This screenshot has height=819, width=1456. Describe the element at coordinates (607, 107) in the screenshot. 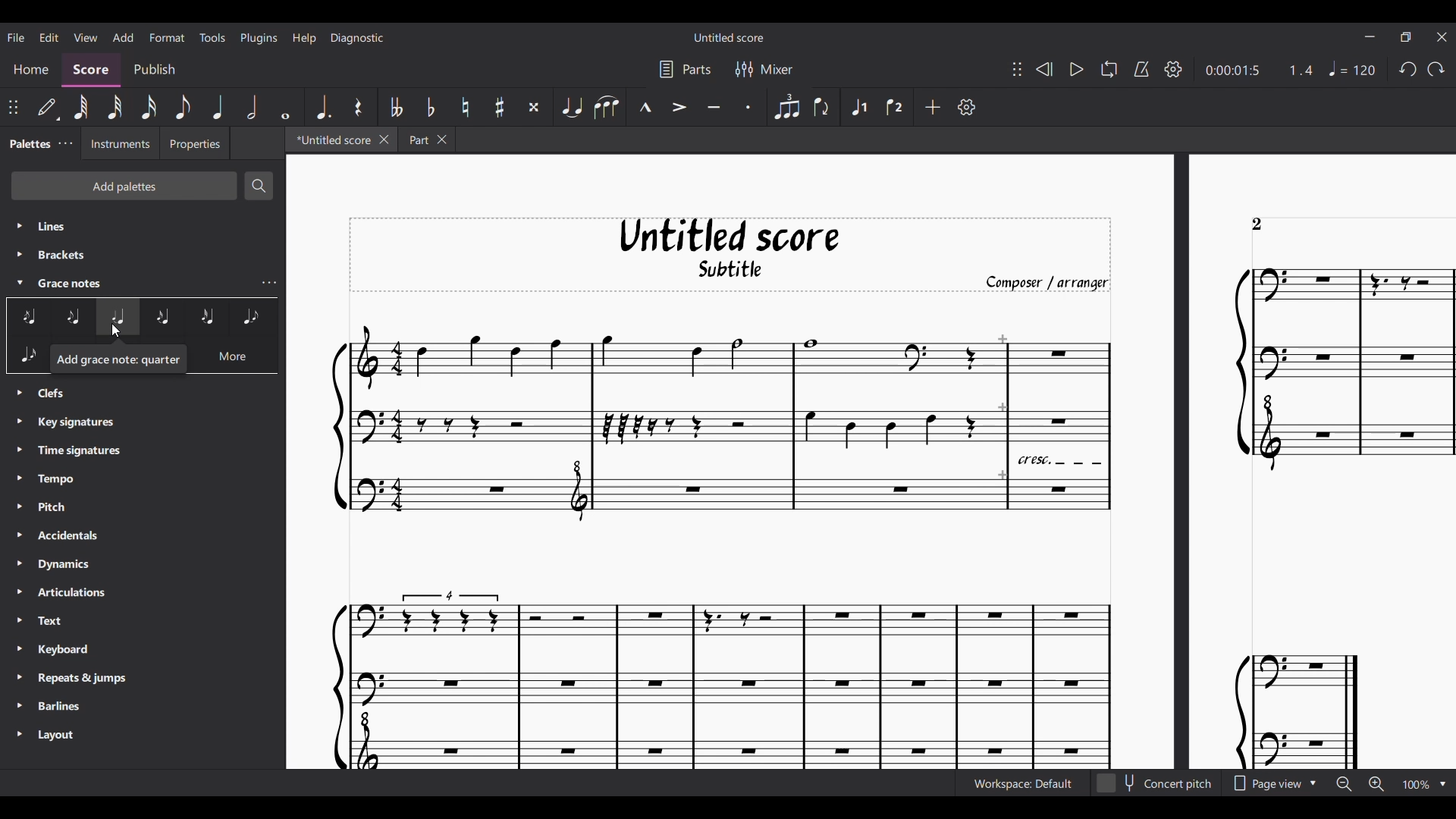

I see `Slur` at that location.